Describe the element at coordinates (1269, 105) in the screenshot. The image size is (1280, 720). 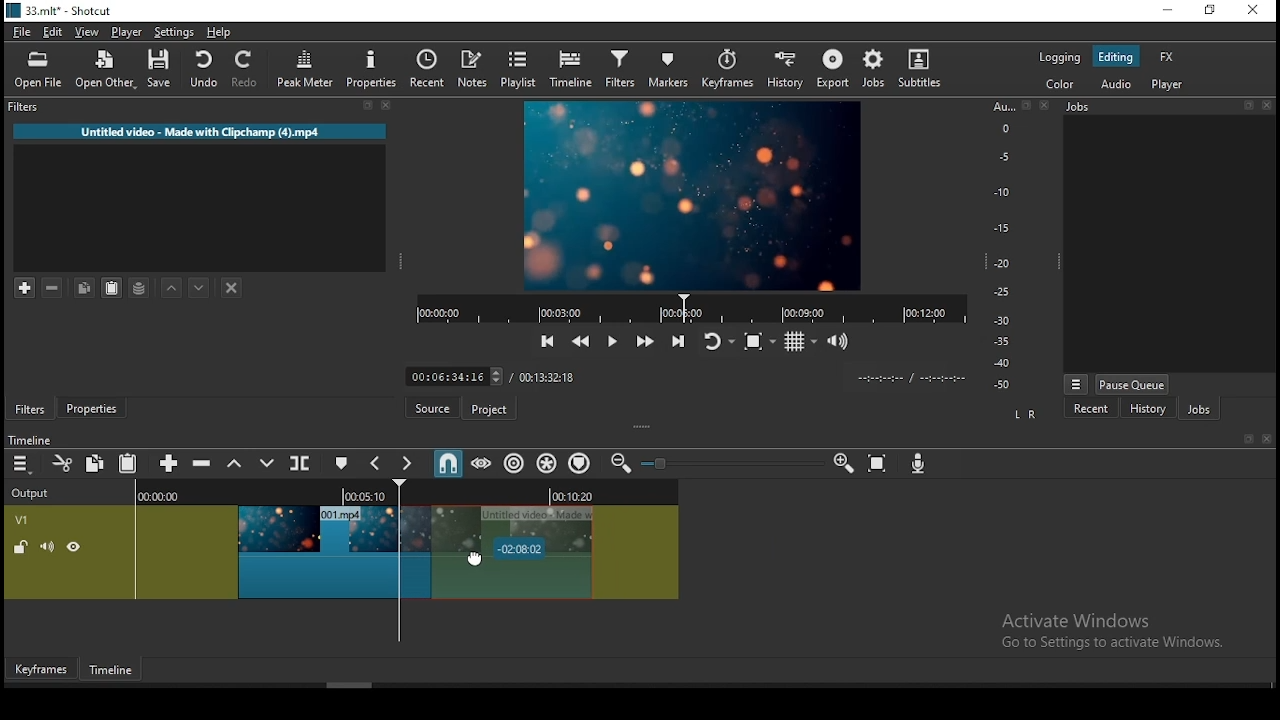
I see `` at that location.